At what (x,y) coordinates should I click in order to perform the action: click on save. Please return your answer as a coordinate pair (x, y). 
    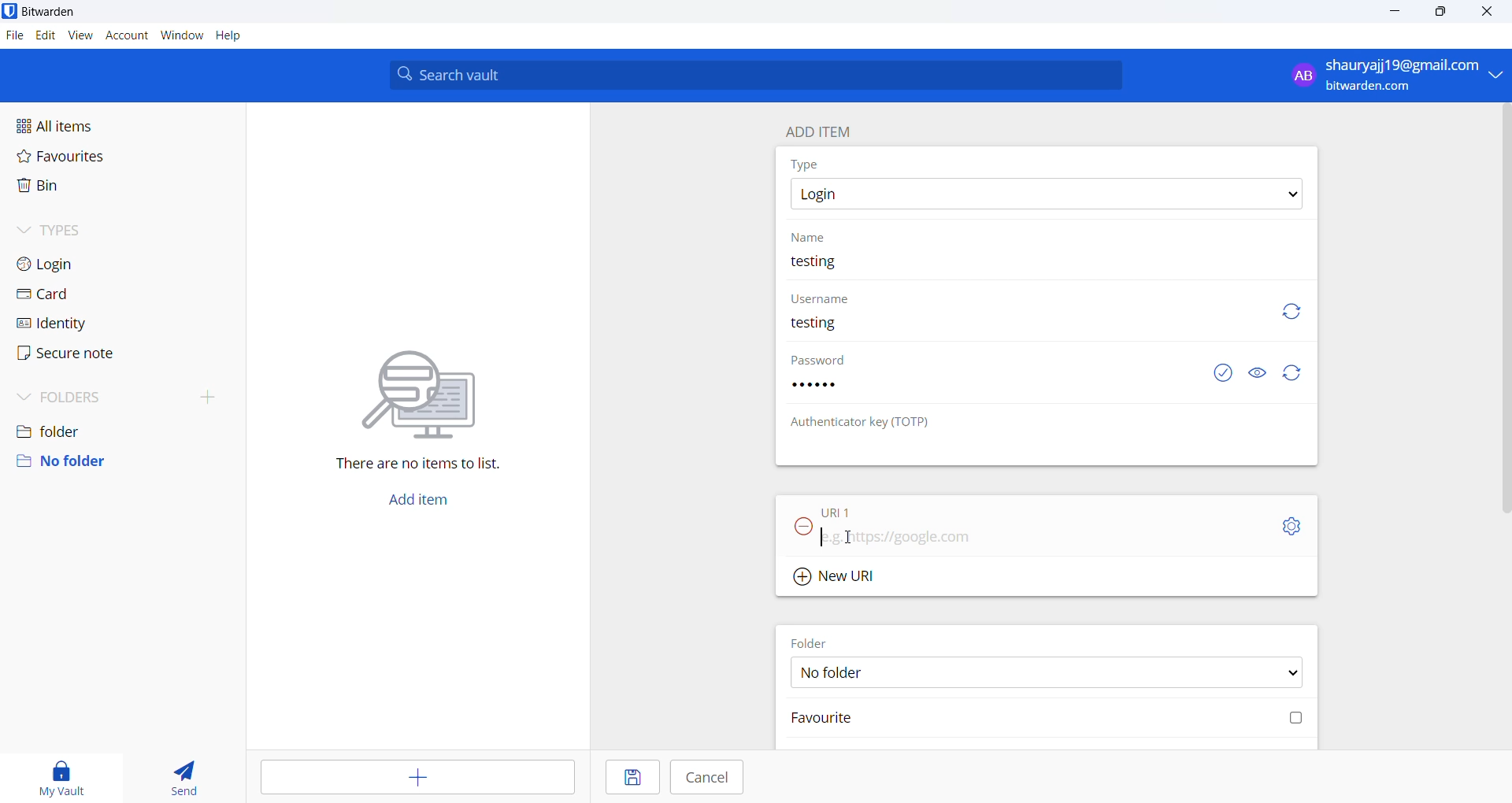
    Looking at the image, I should click on (631, 776).